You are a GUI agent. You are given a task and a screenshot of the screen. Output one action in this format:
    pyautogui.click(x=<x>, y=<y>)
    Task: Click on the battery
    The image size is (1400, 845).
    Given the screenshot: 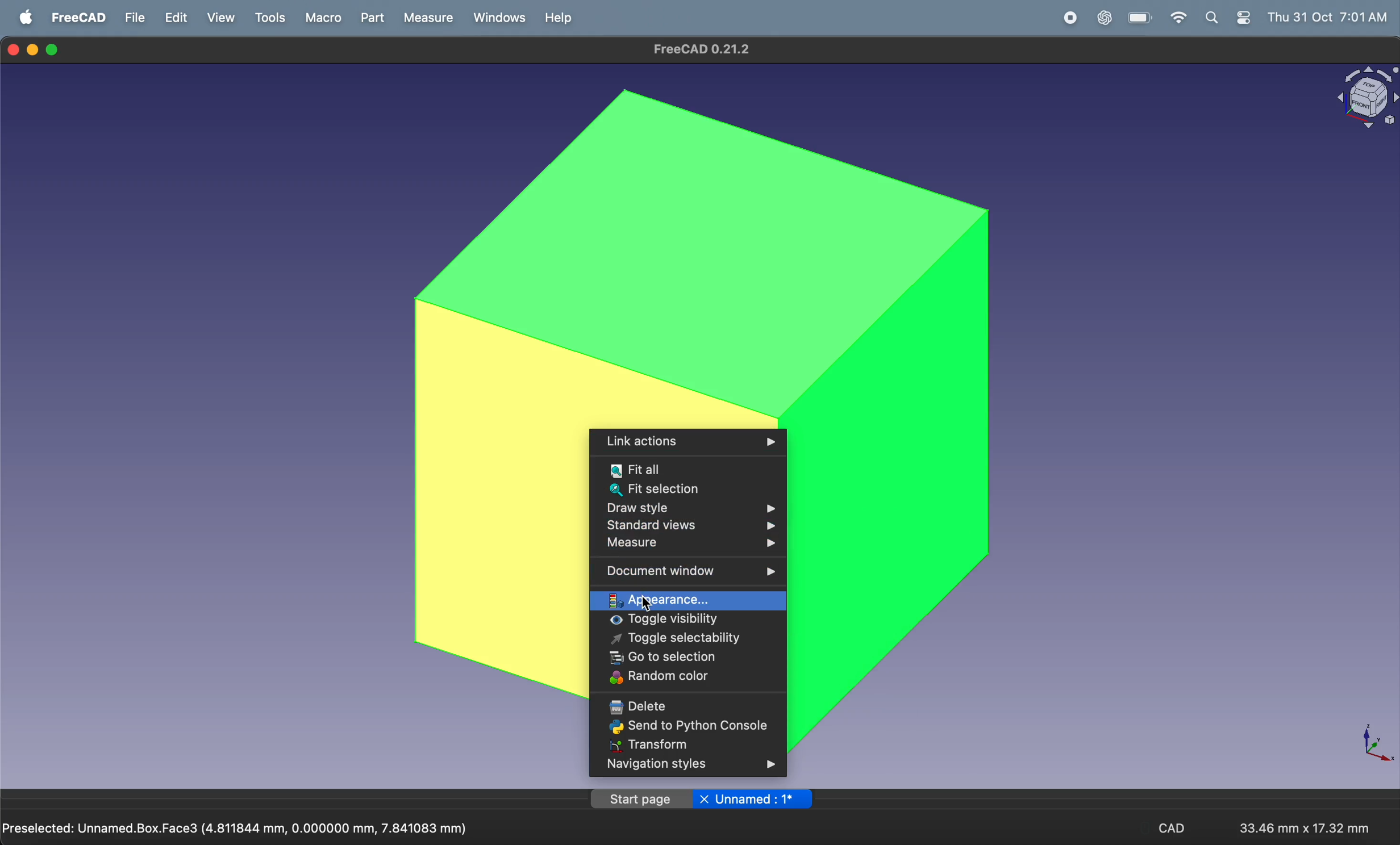 What is the action you would take?
    pyautogui.click(x=1136, y=18)
    